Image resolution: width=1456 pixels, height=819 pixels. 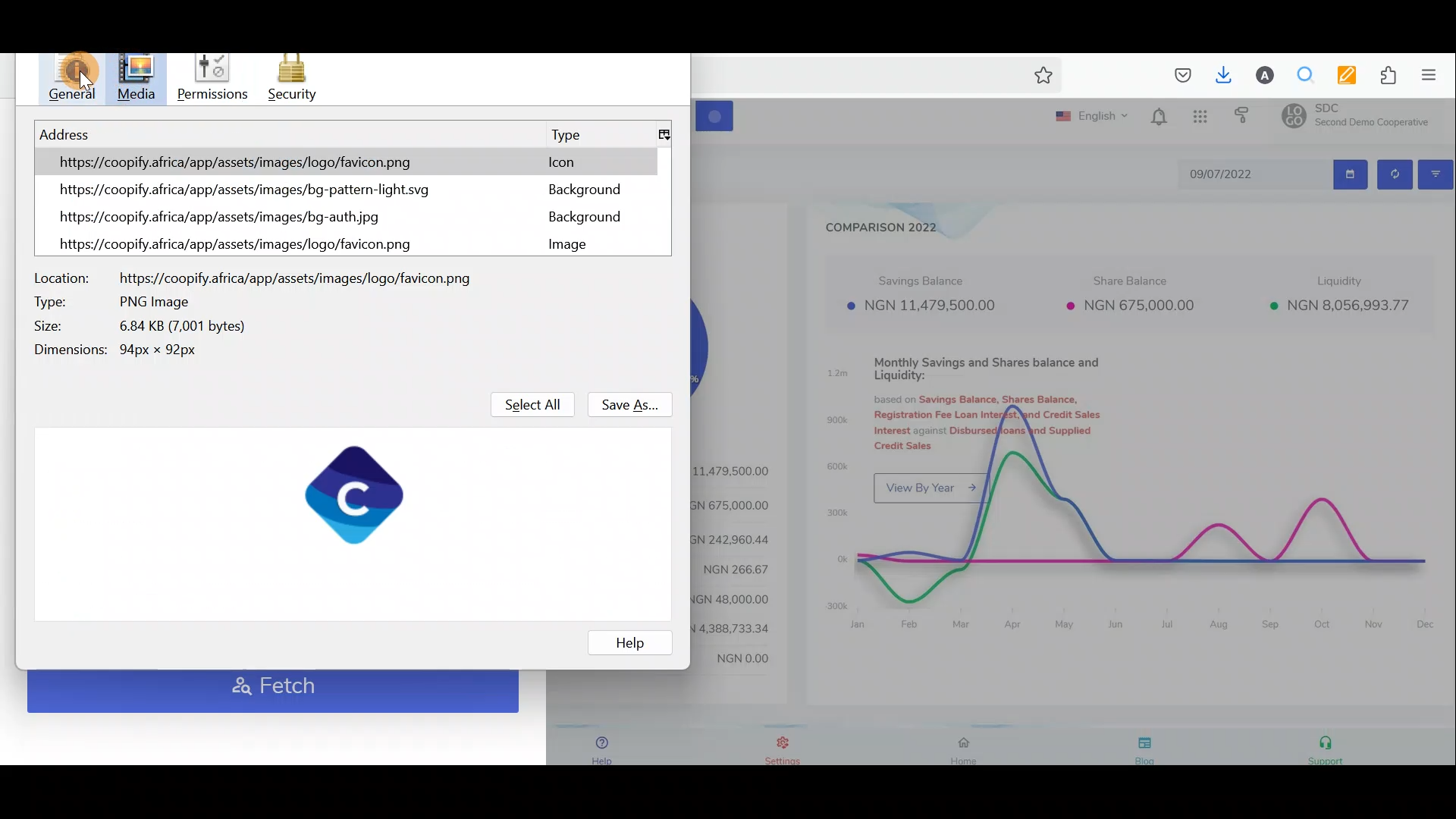 What do you see at coordinates (237, 193) in the screenshot?
I see `Address` at bounding box center [237, 193].